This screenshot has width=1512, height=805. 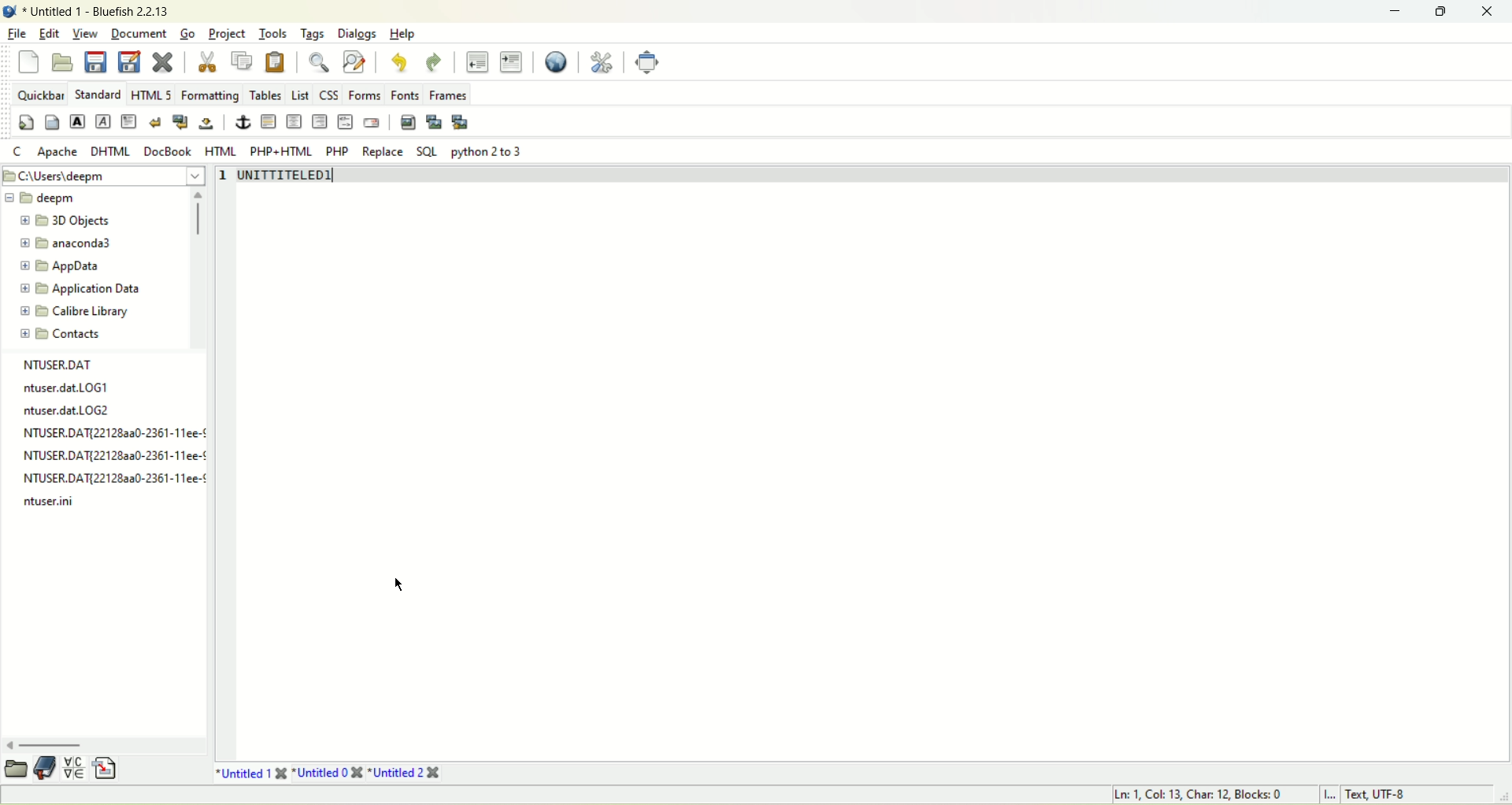 What do you see at coordinates (372, 121) in the screenshot?
I see `email` at bounding box center [372, 121].